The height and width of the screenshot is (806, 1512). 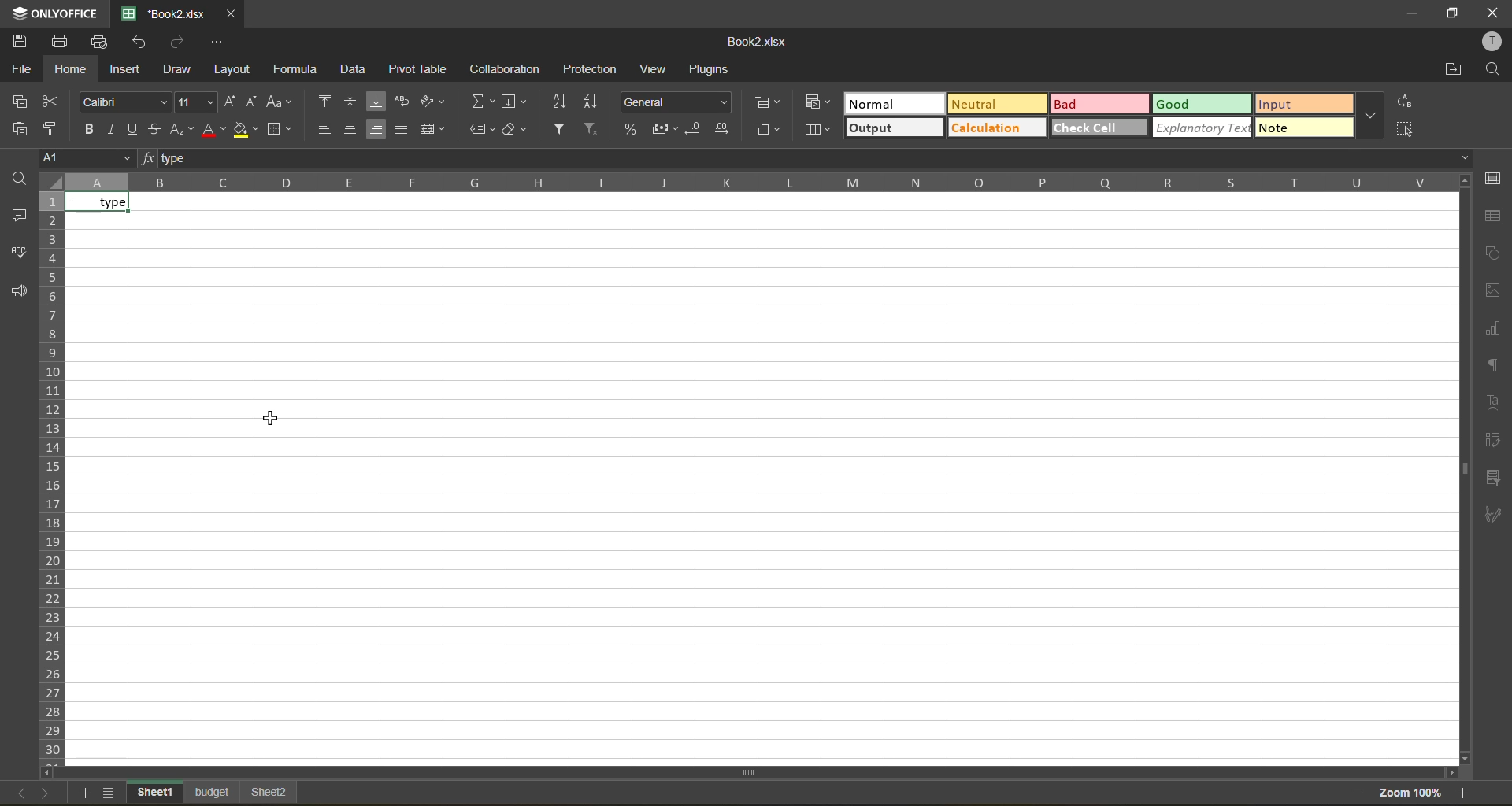 What do you see at coordinates (1203, 105) in the screenshot?
I see `good` at bounding box center [1203, 105].